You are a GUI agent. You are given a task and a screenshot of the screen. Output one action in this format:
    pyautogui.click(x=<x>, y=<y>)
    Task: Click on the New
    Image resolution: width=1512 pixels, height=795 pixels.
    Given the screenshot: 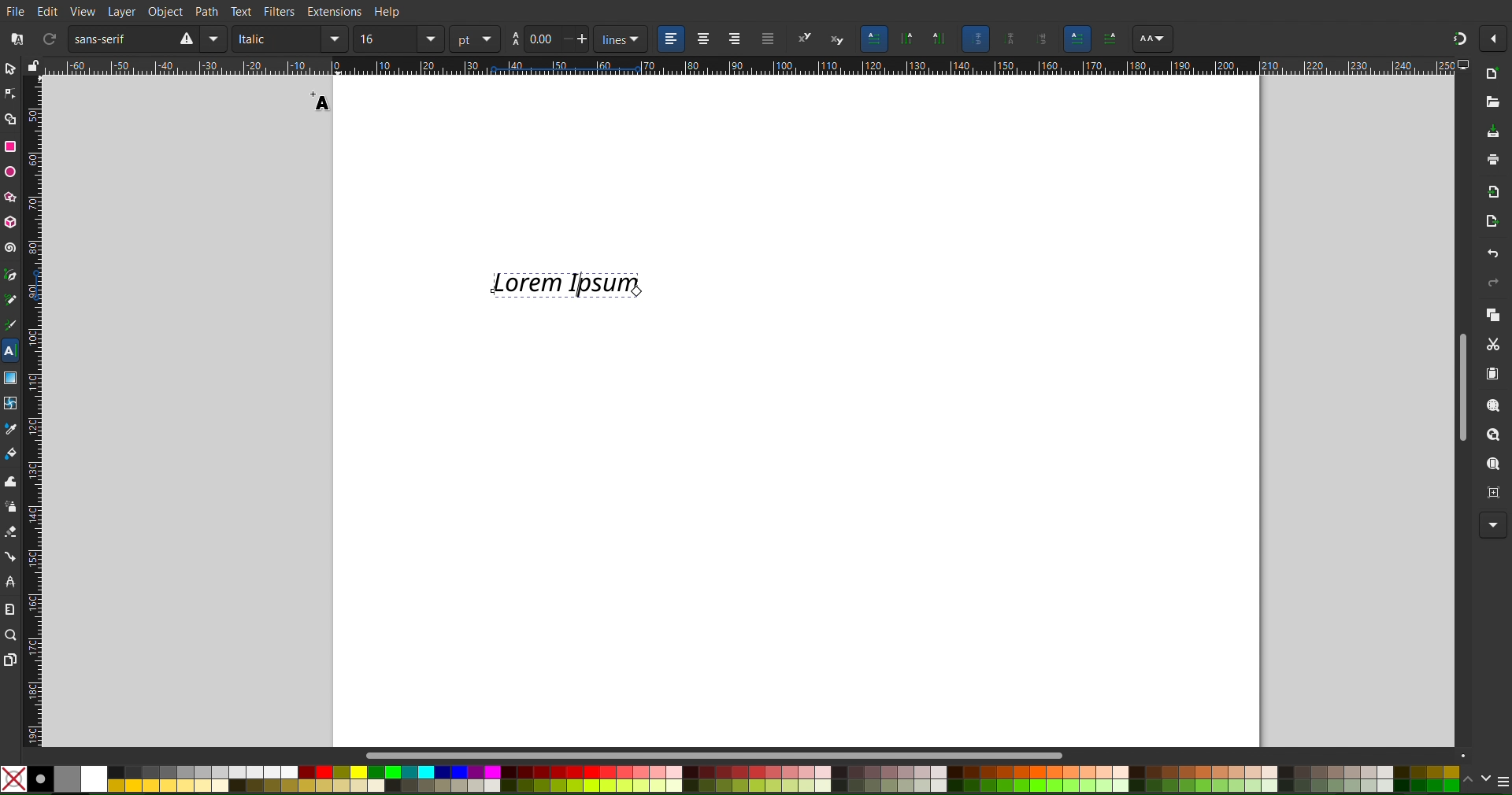 What is the action you would take?
    pyautogui.click(x=1493, y=73)
    